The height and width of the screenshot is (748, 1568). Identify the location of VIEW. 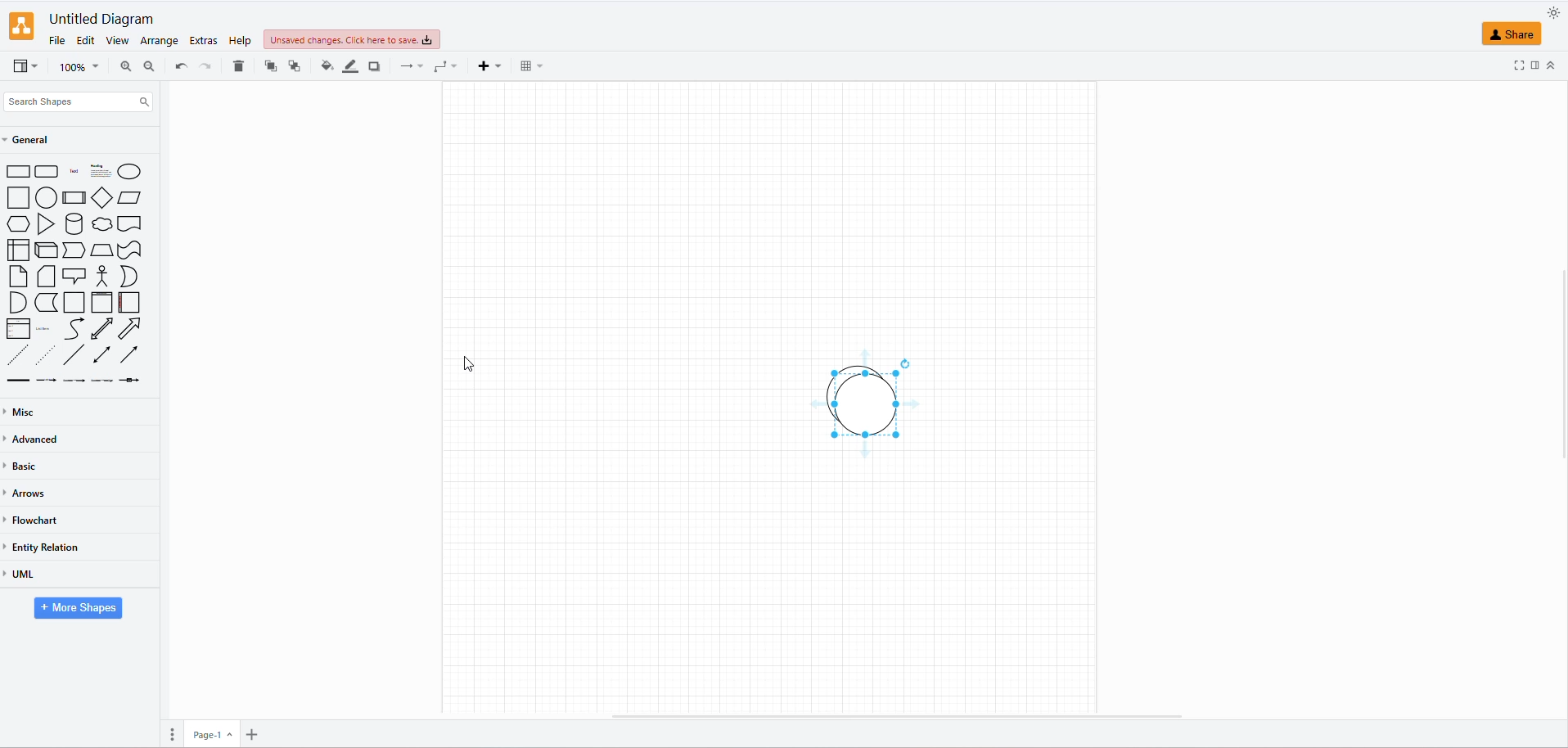
(113, 42).